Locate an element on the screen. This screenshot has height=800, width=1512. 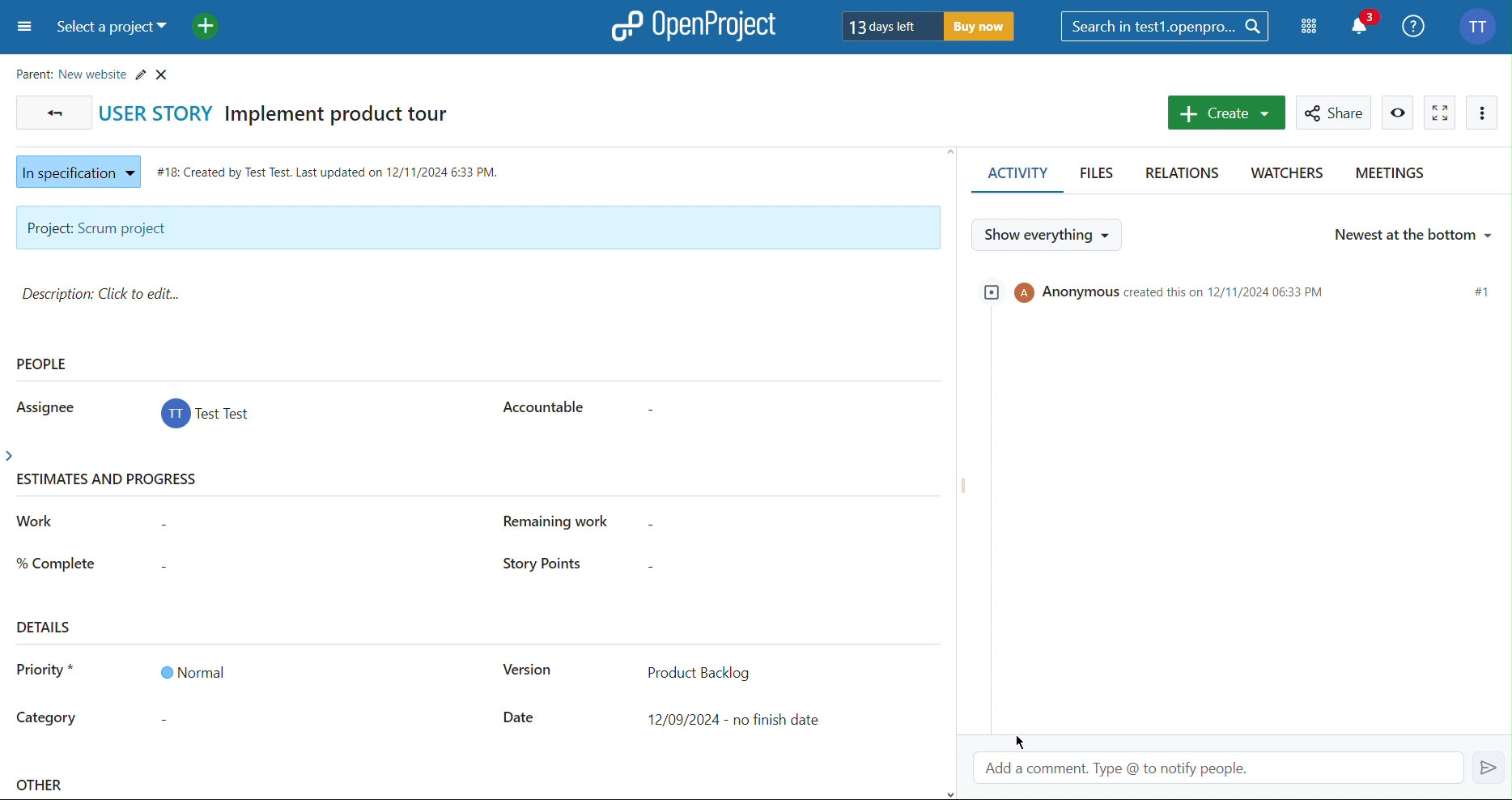
Parent new website is located at coordinates (96, 71).